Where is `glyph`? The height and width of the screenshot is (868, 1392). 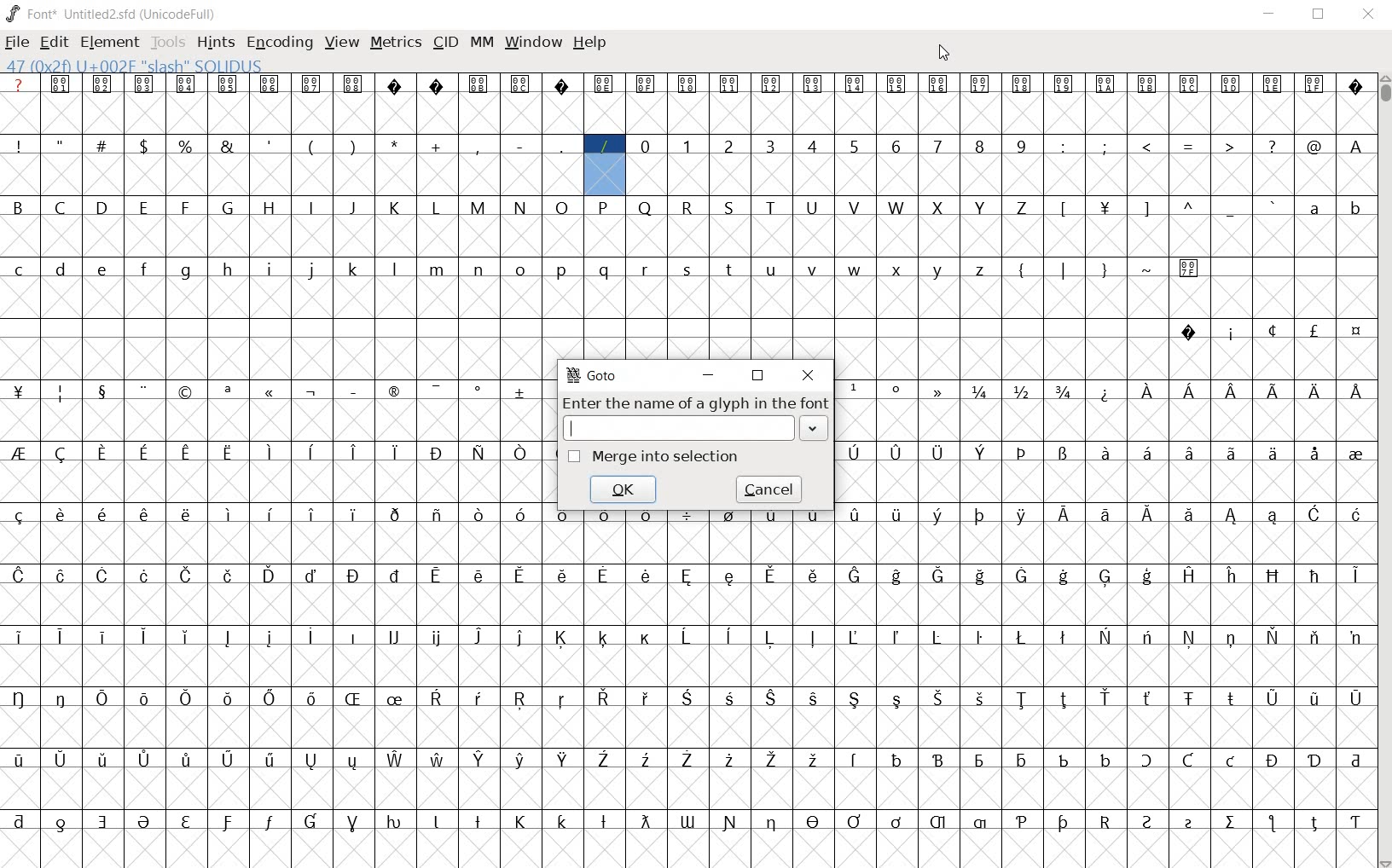
glyph is located at coordinates (1064, 576).